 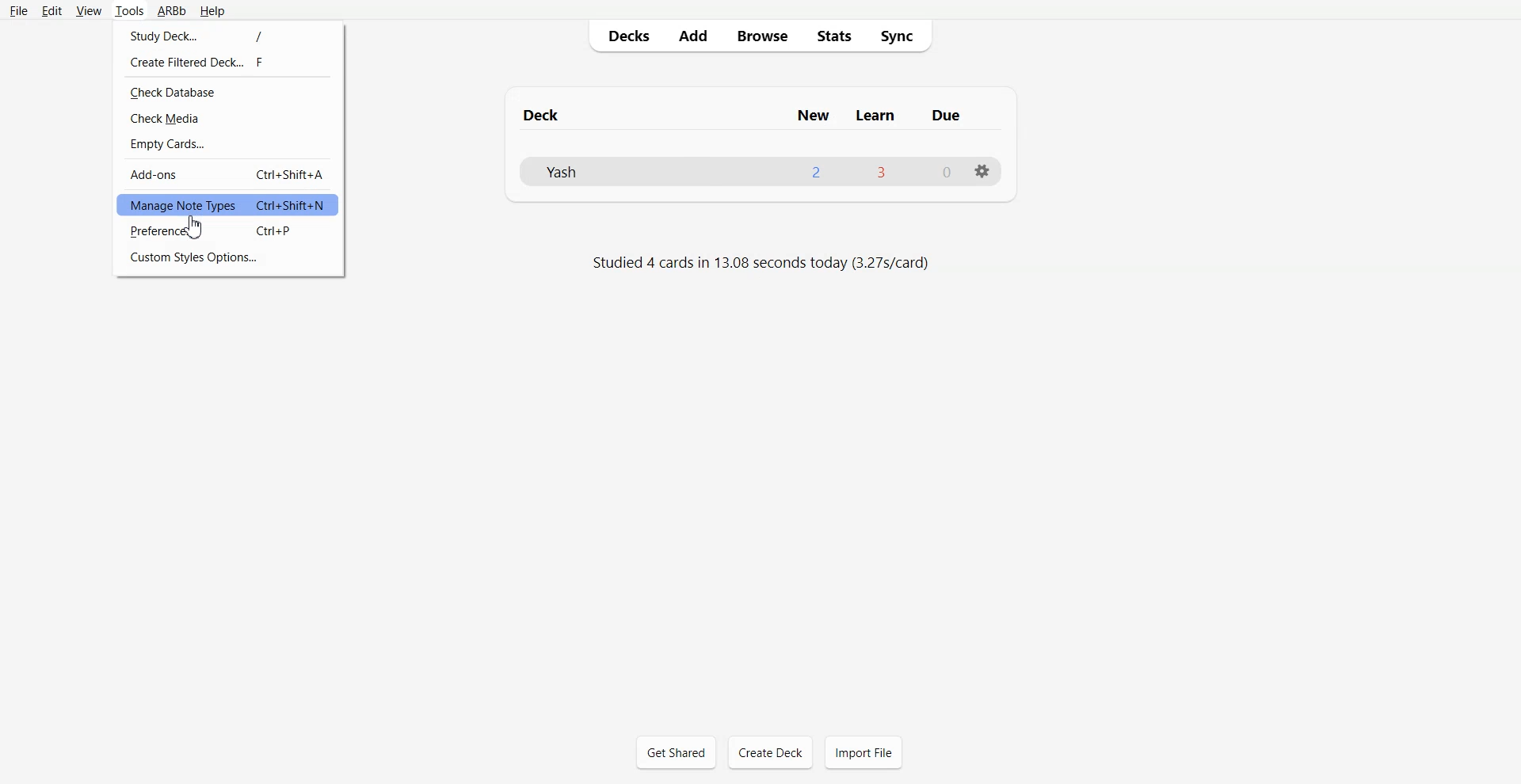 What do you see at coordinates (170, 12) in the screenshot?
I see `ARBb` at bounding box center [170, 12].